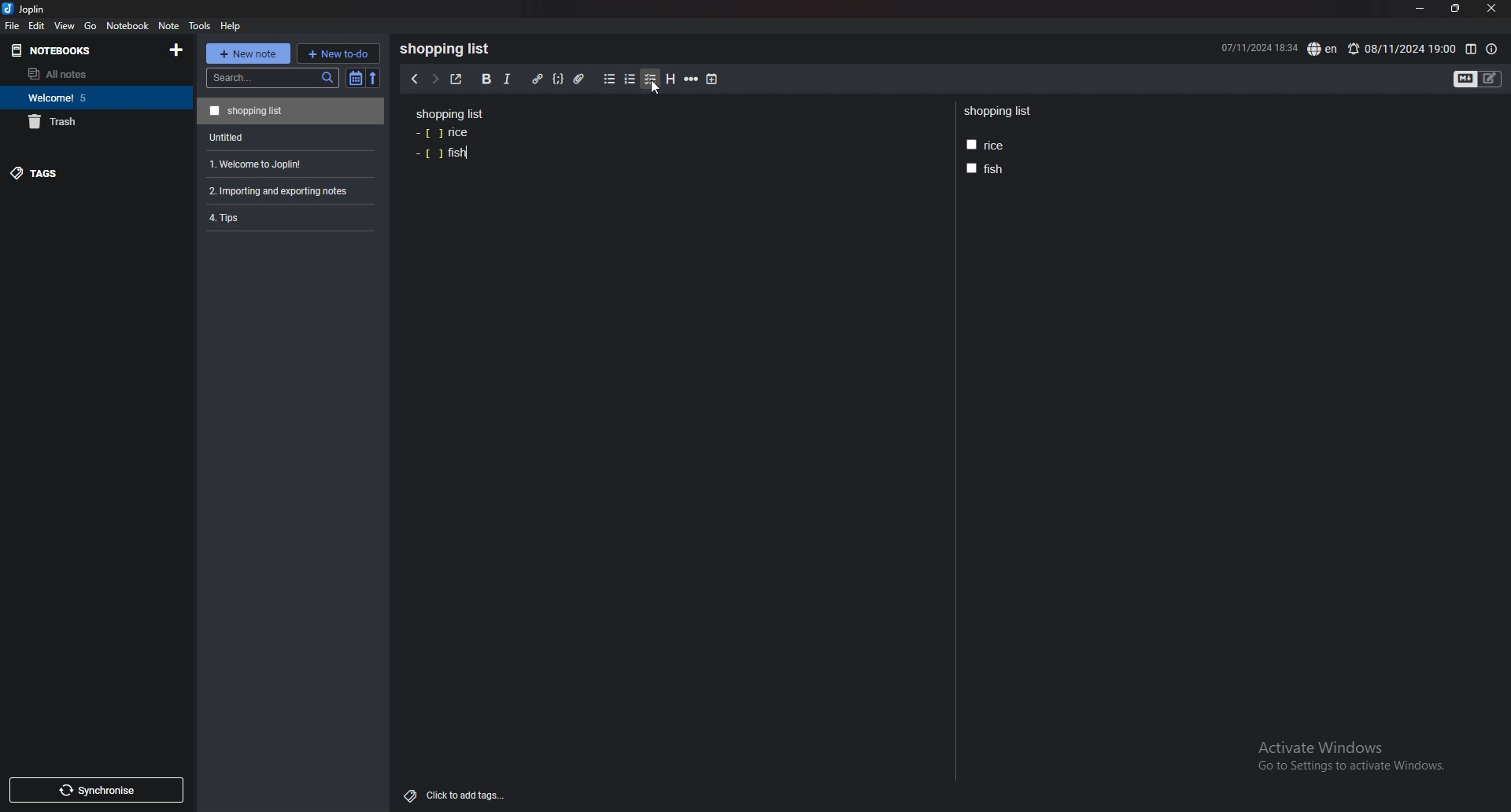 Image resolution: width=1511 pixels, height=812 pixels. What do you see at coordinates (609, 79) in the screenshot?
I see `bullet list` at bounding box center [609, 79].